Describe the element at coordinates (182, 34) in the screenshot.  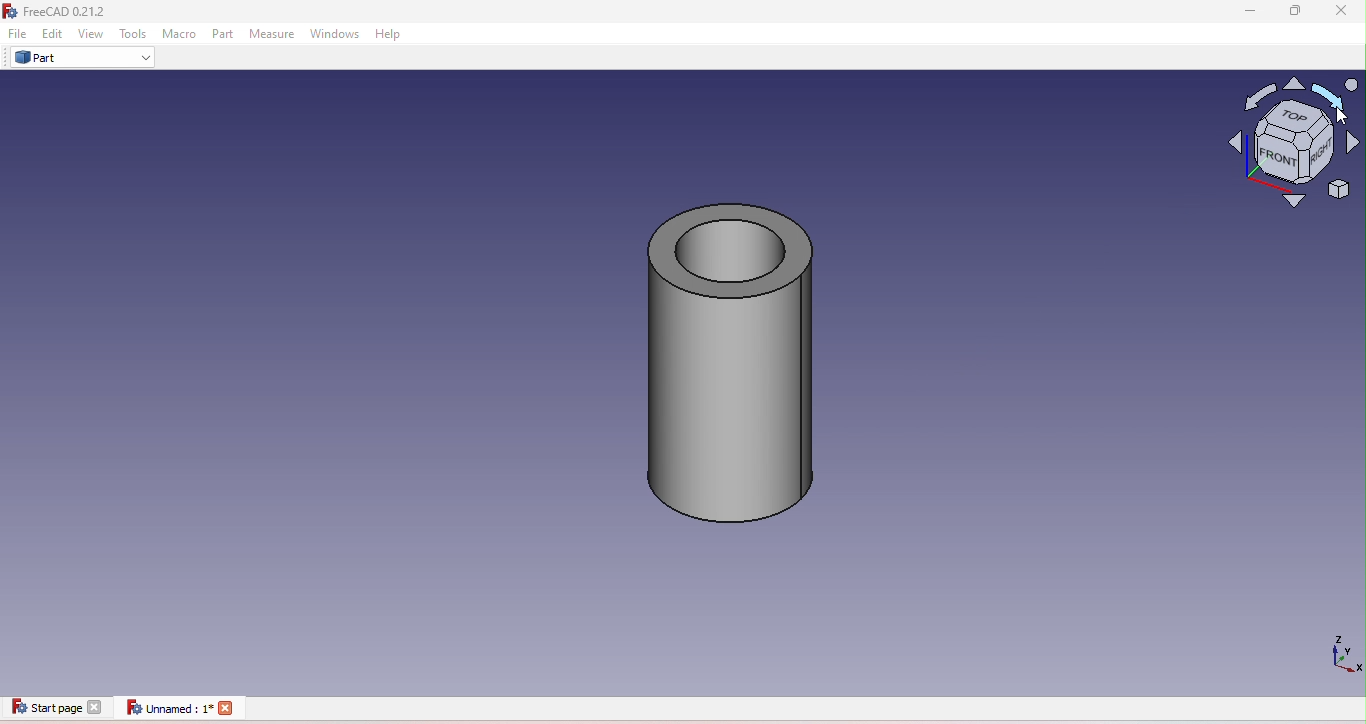
I see `Macro` at that location.